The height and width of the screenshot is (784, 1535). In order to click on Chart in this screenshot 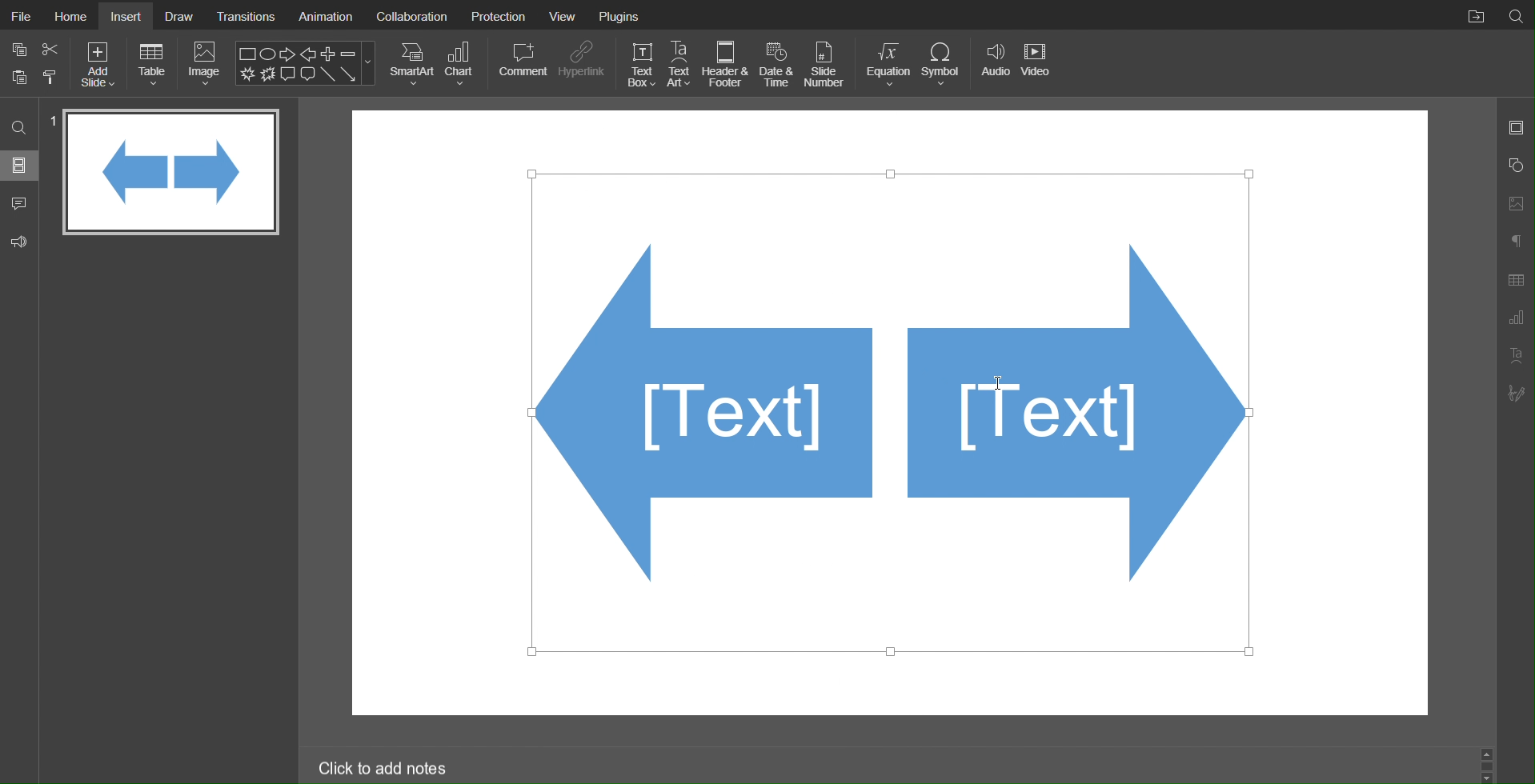, I will do `click(463, 64)`.